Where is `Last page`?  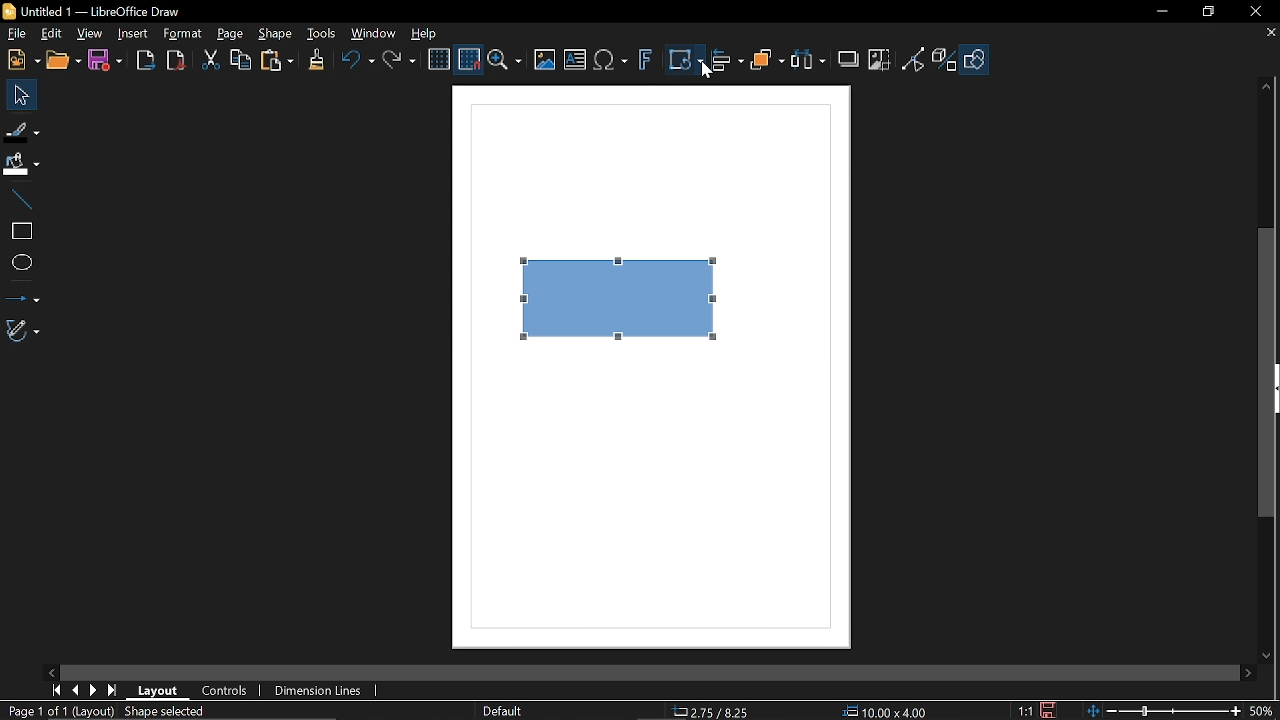 Last page is located at coordinates (112, 691).